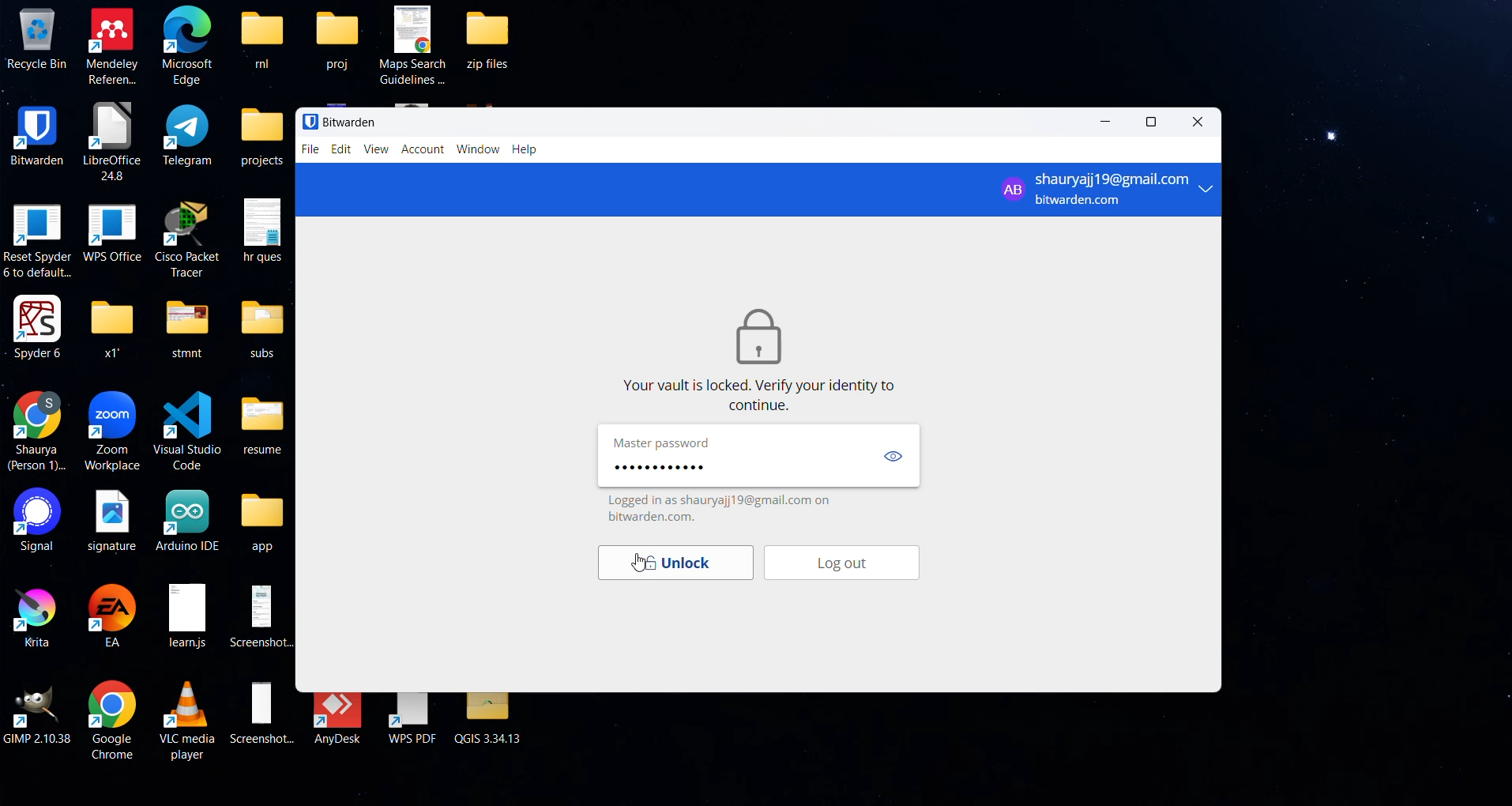 The height and width of the screenshot is (806, 1512). Describe the element at coordinates (667, 443) in the screenshot. I see `Master password` at that location.